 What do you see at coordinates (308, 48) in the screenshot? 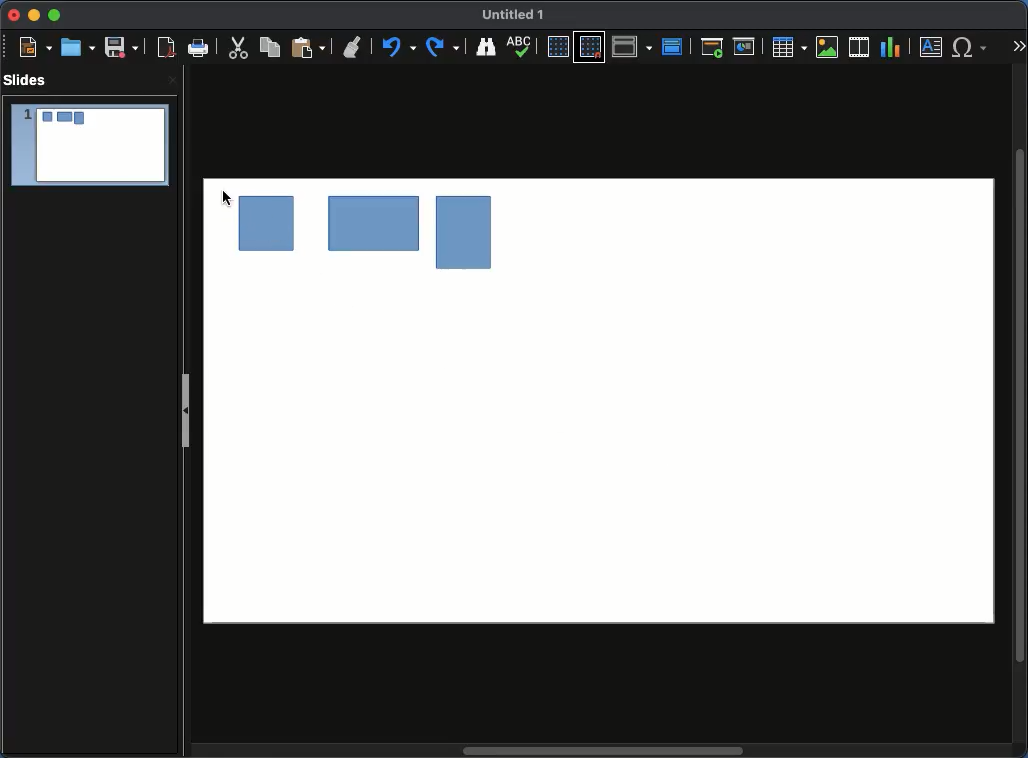
I see `Paste` at bounding box center [308, 48].